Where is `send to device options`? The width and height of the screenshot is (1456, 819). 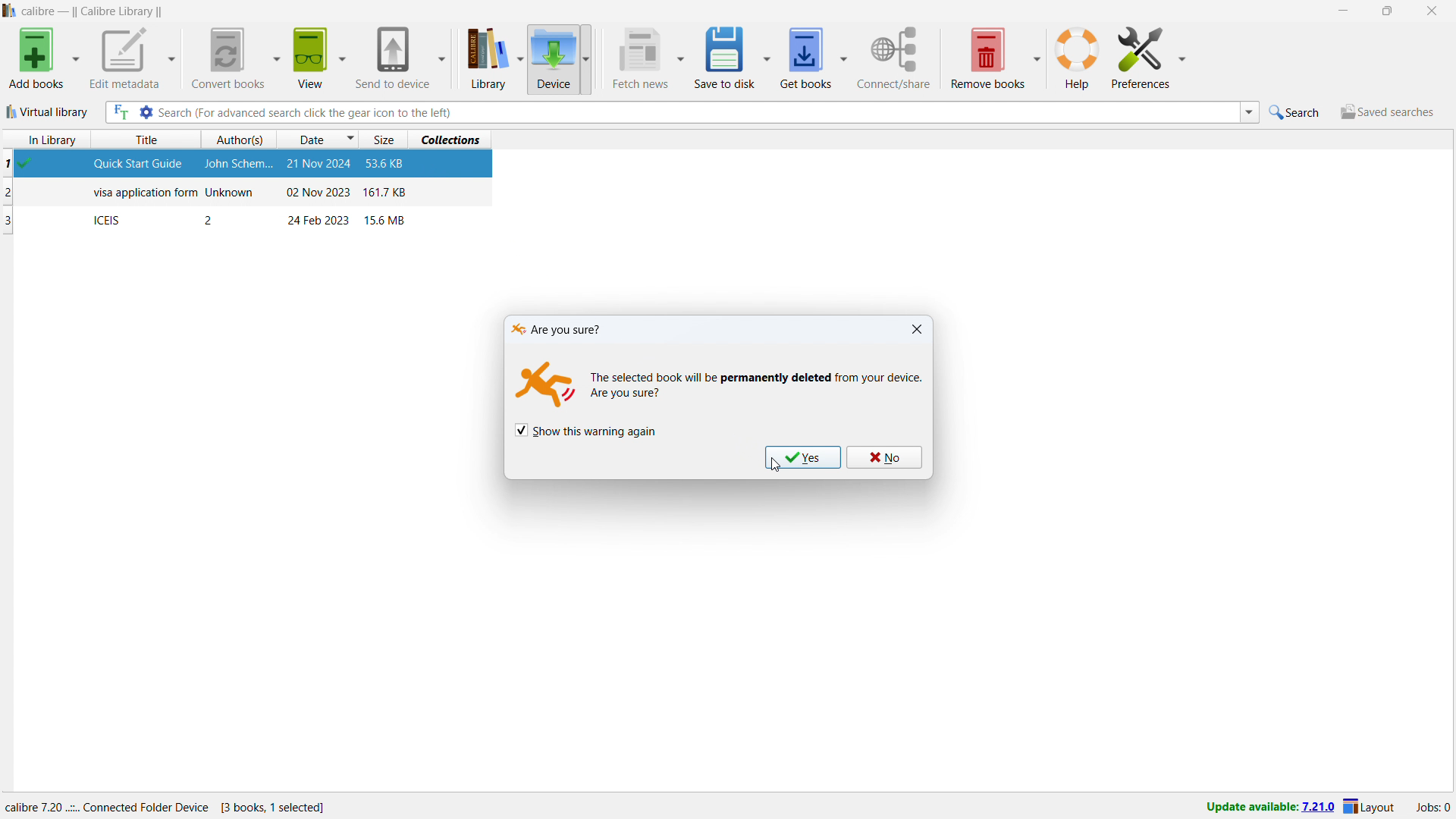 send to device options is located at coordinates (441, 58).